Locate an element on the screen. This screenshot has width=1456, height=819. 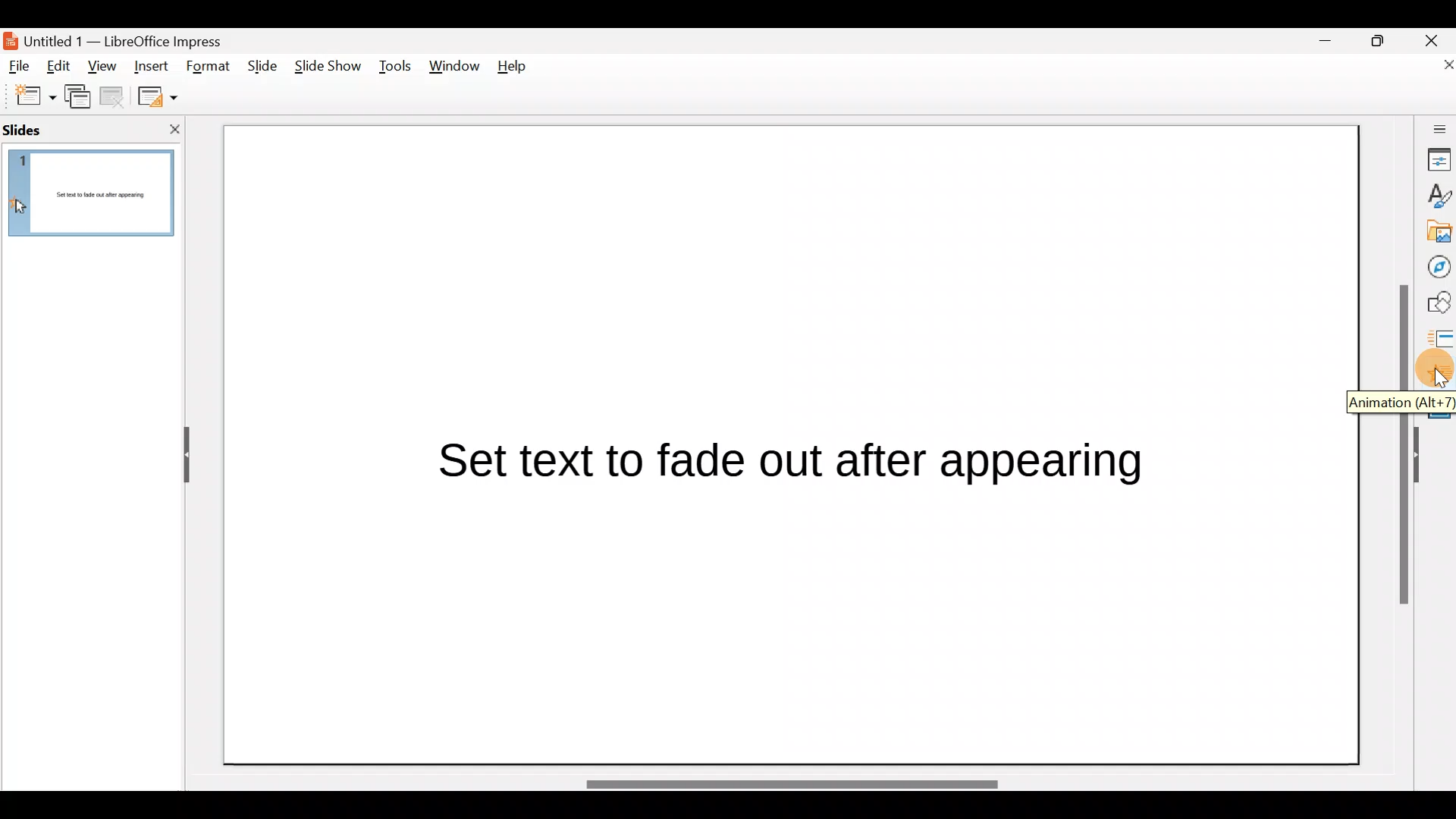
Slides transition is located at coordinates (1441, 337).